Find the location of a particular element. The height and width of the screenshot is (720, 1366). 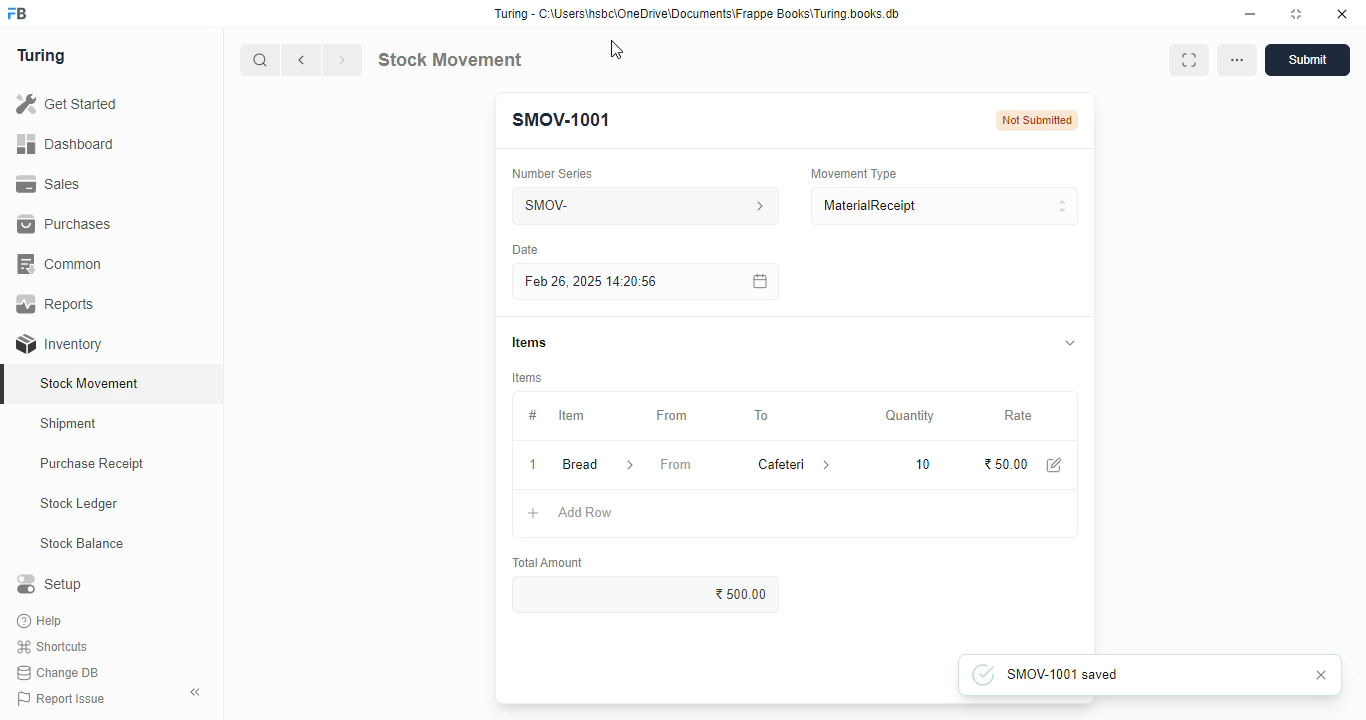

common is located at coordinates (62, 264).